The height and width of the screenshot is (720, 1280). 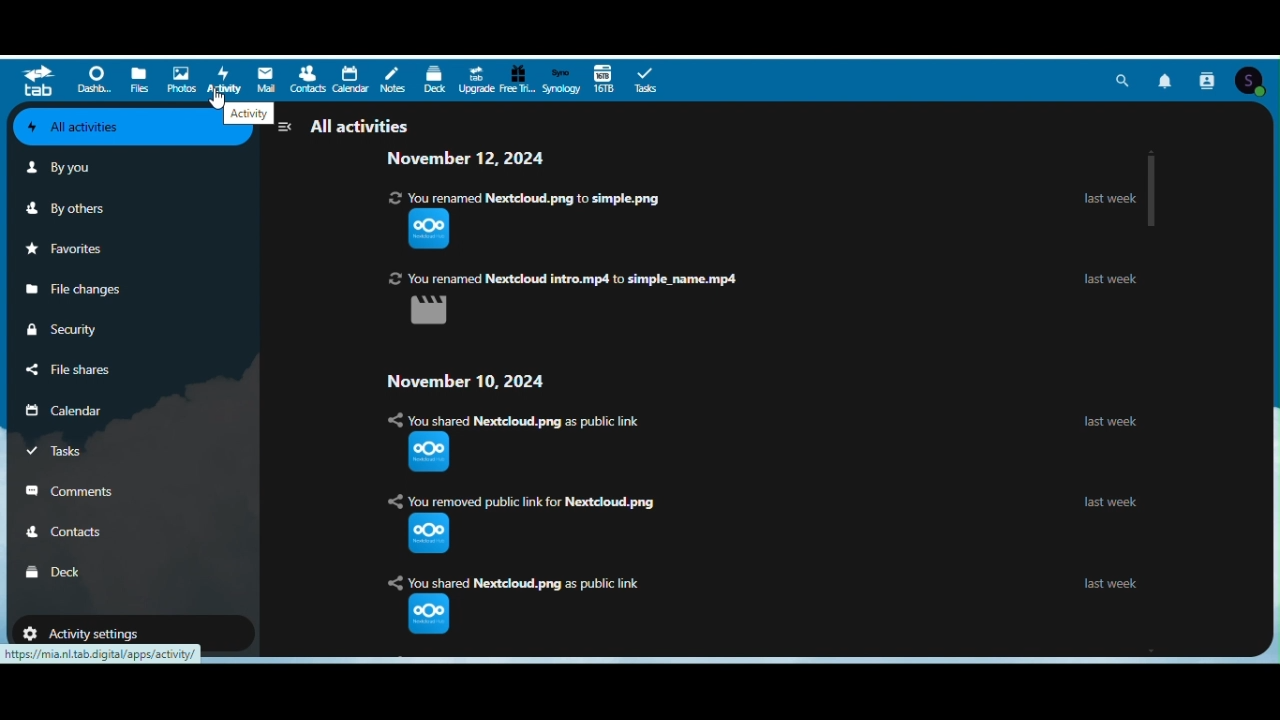 I want to click on Comments, so click(x=81, y=491).